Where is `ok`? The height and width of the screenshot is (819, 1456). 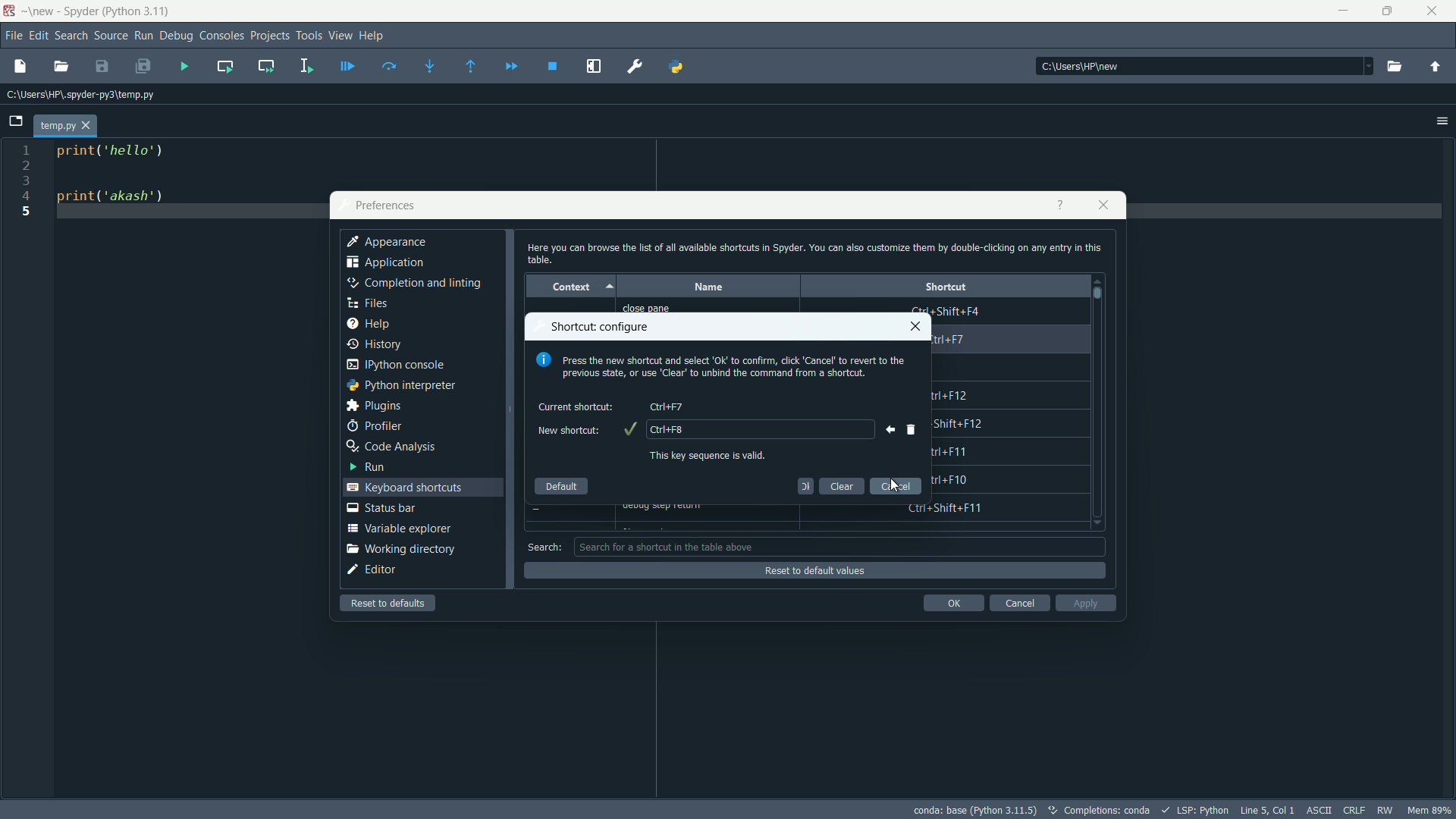
ok is located at coordinates (953, 603).